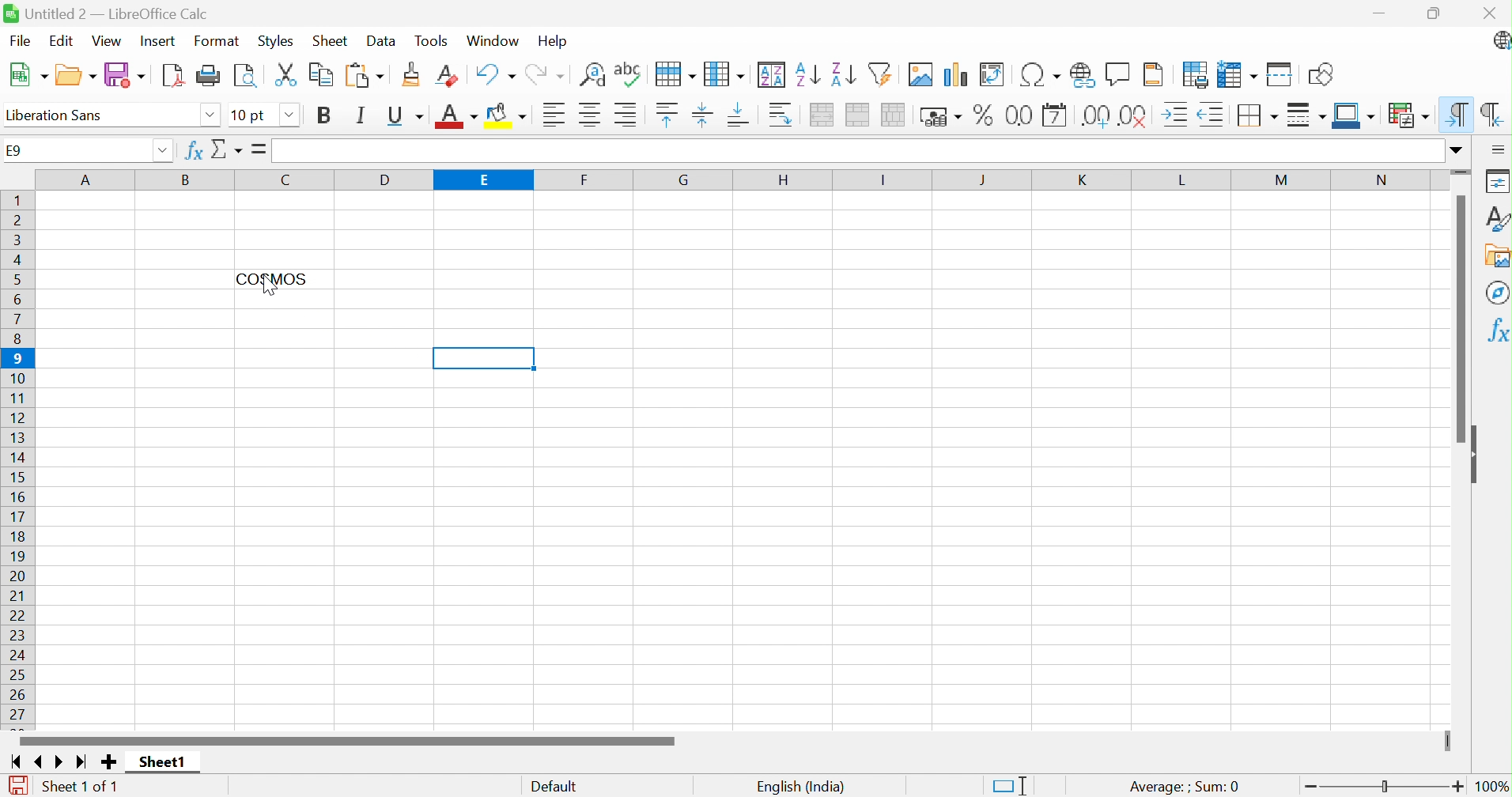 The height and width of the screenshot is (797, 1512). What do you see at coordinates (19, 42) in the screenshot?
I see `File` at bounding box center [19, 42].